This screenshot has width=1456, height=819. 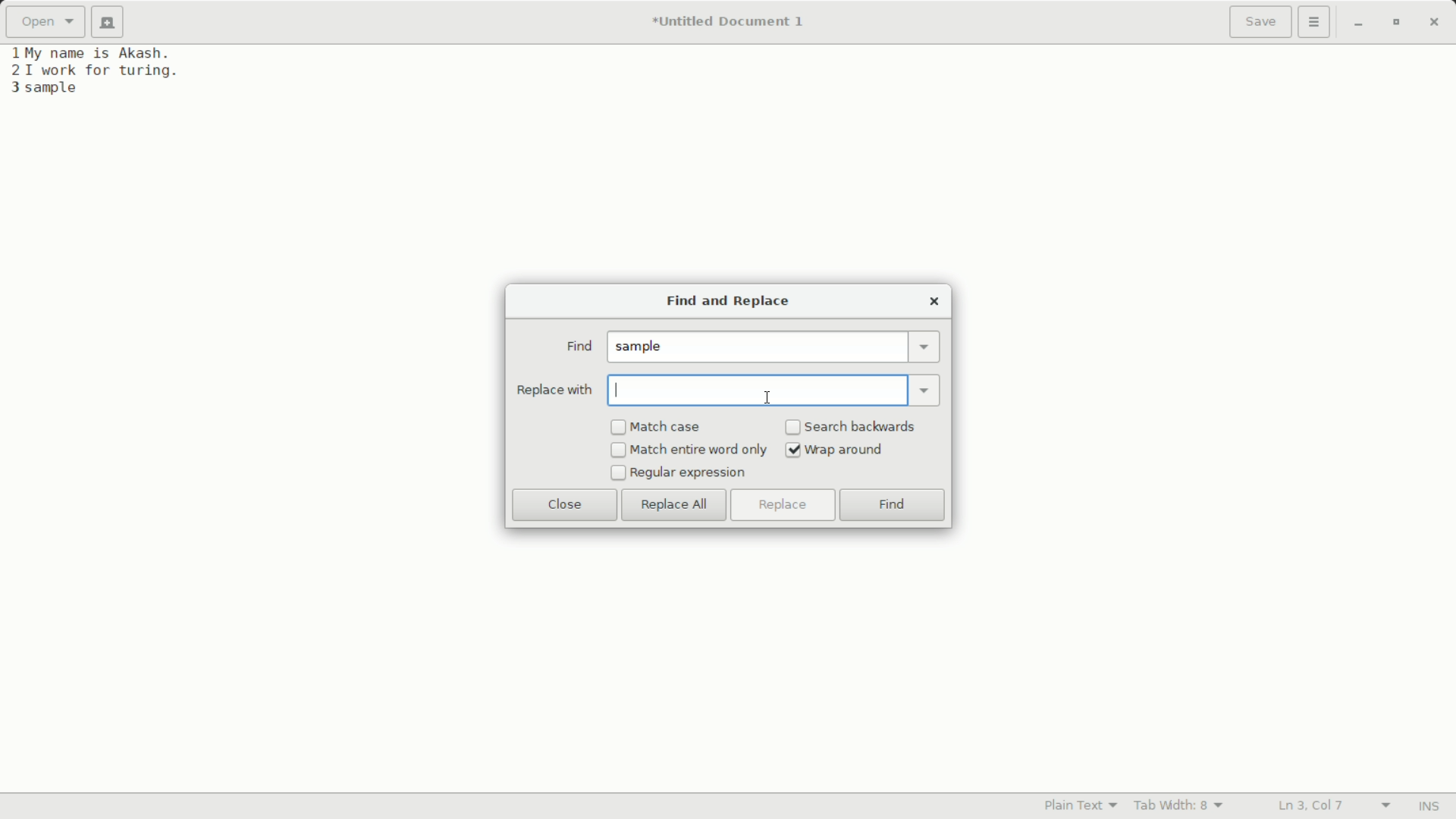 I want to click on checkbox, so click(x=618, y=451).